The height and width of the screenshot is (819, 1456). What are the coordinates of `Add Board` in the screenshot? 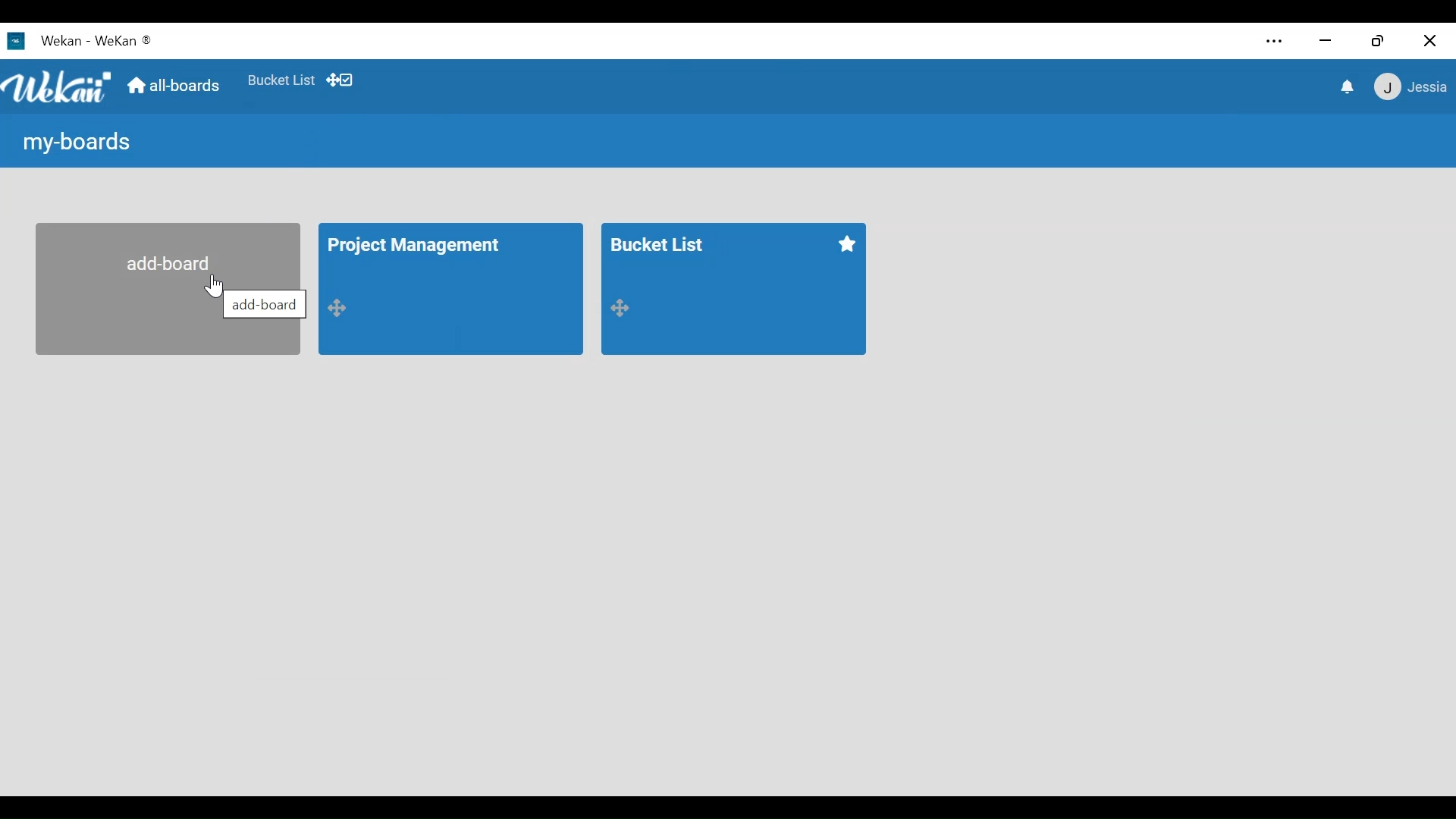 It's located at (168, 288).